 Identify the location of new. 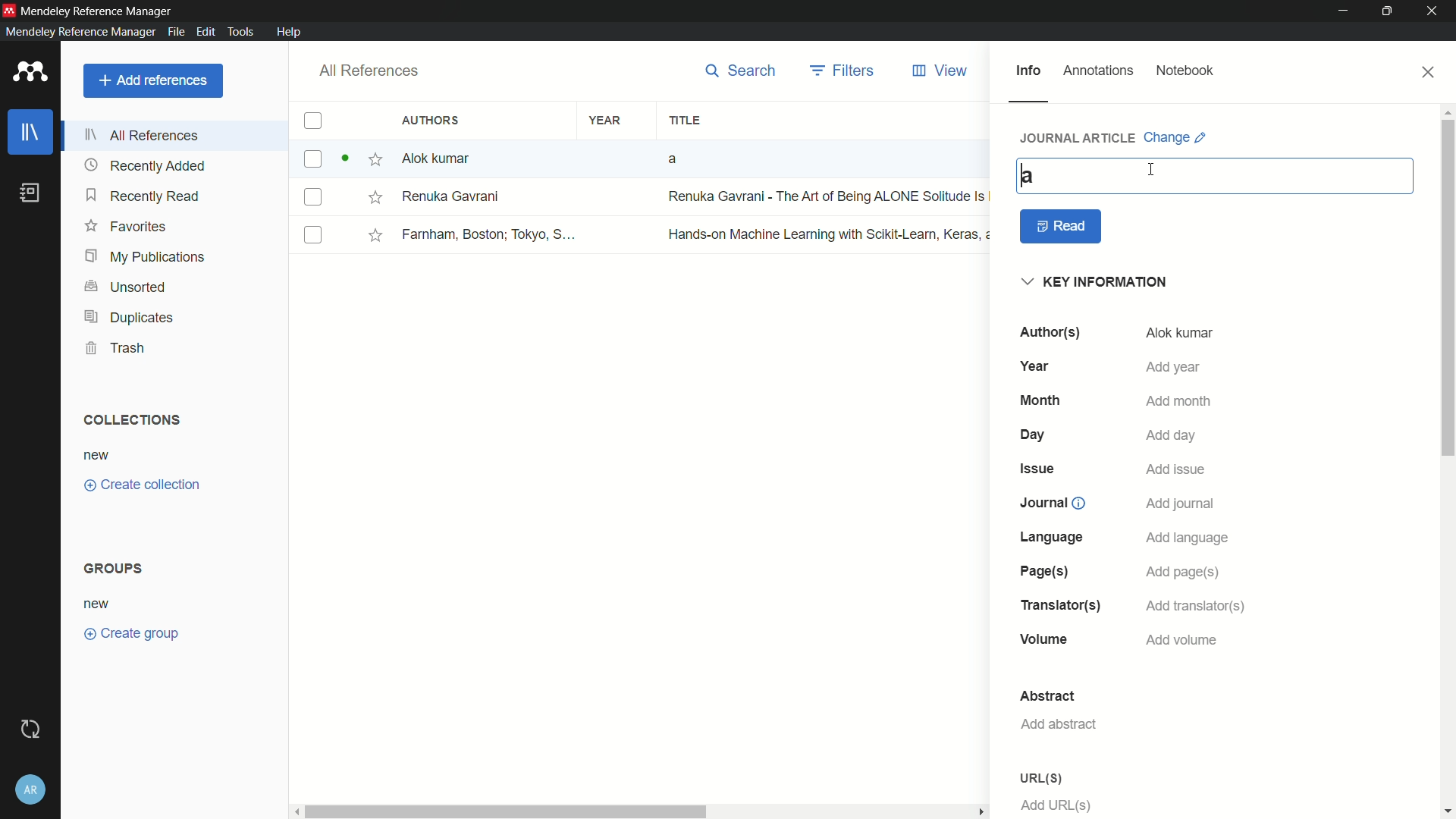
(98, 605).